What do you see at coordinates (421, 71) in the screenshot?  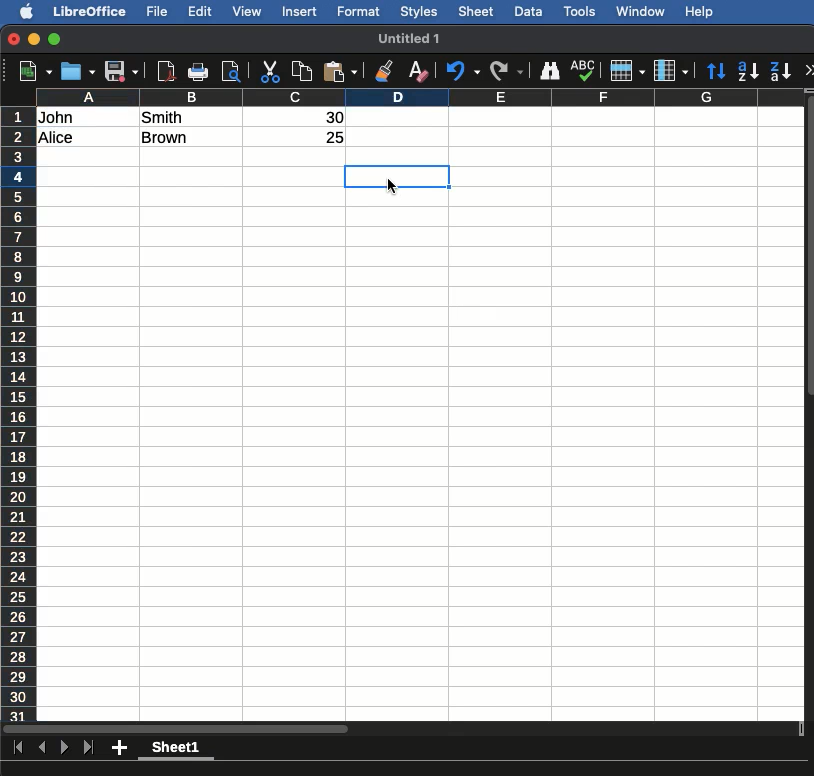 I see `Clear formatting` at bounding box center [421, 71].